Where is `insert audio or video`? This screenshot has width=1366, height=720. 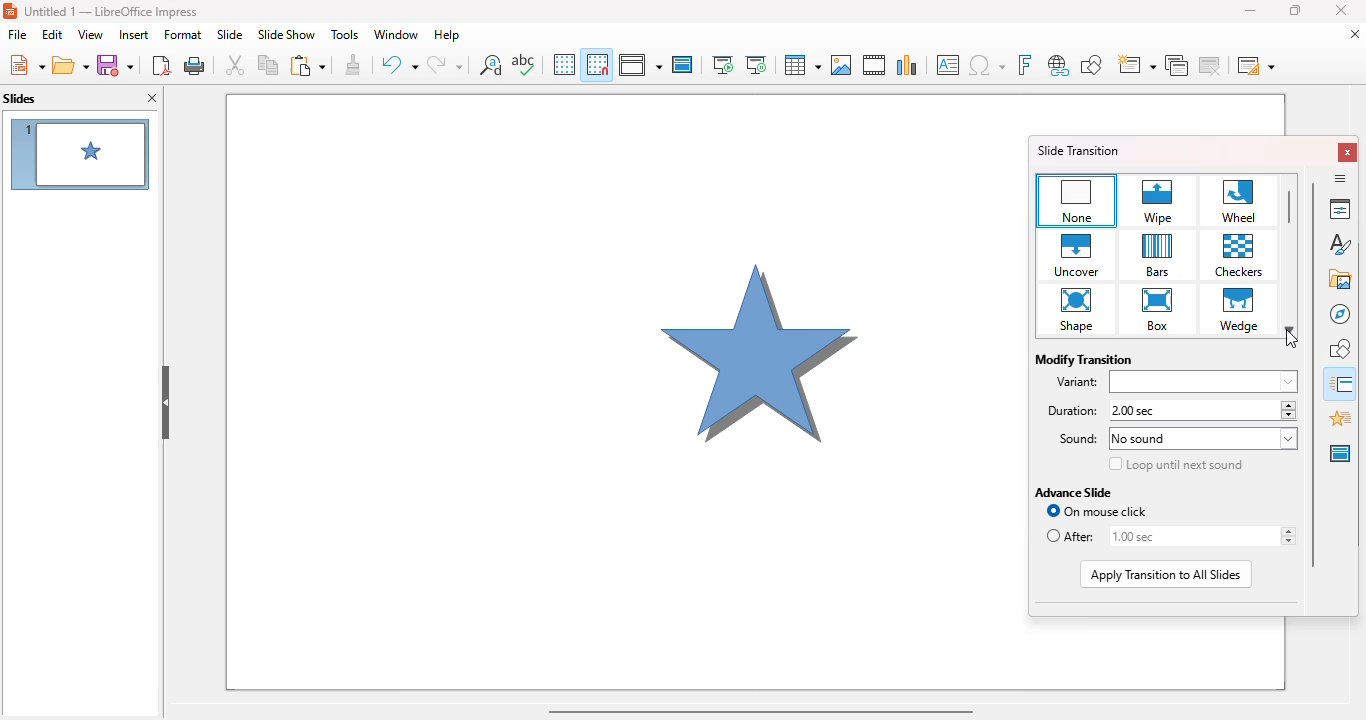
insert audio or video is located at coordinates (875, 65).